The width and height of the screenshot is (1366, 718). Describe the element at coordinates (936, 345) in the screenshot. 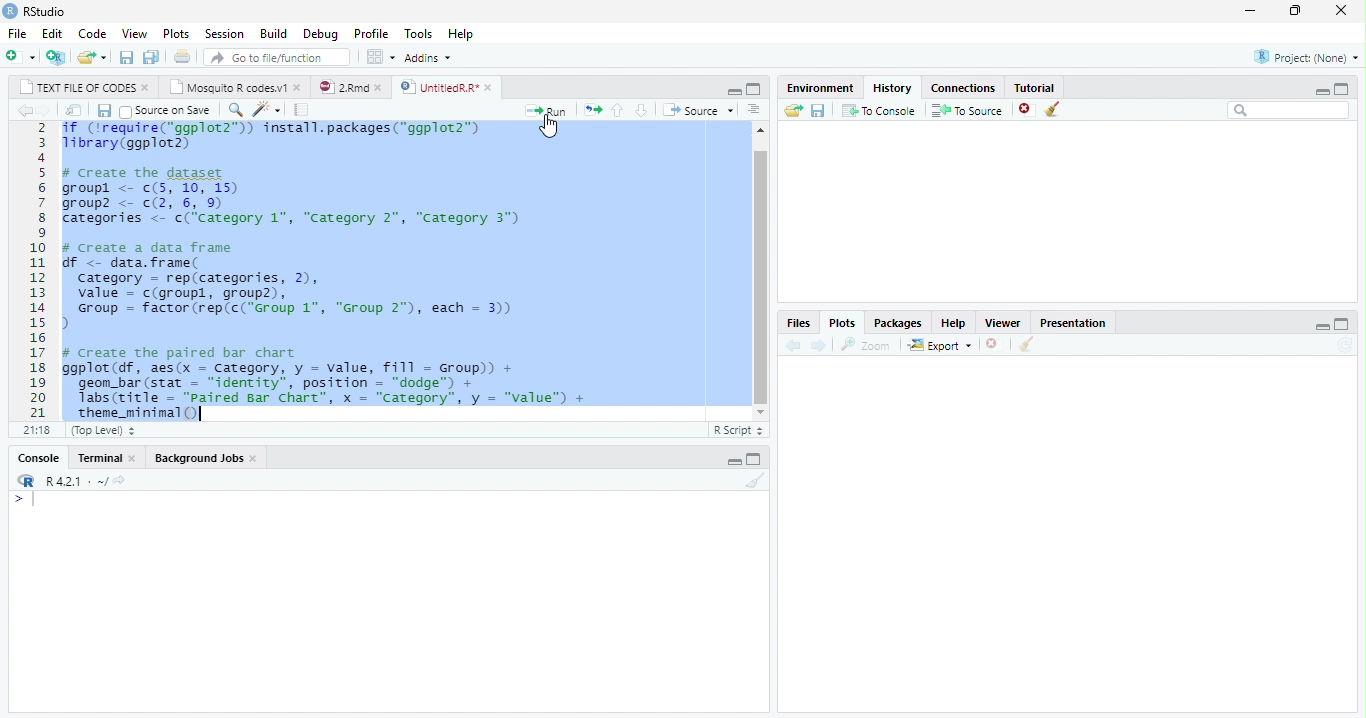

I see `export` at that location.